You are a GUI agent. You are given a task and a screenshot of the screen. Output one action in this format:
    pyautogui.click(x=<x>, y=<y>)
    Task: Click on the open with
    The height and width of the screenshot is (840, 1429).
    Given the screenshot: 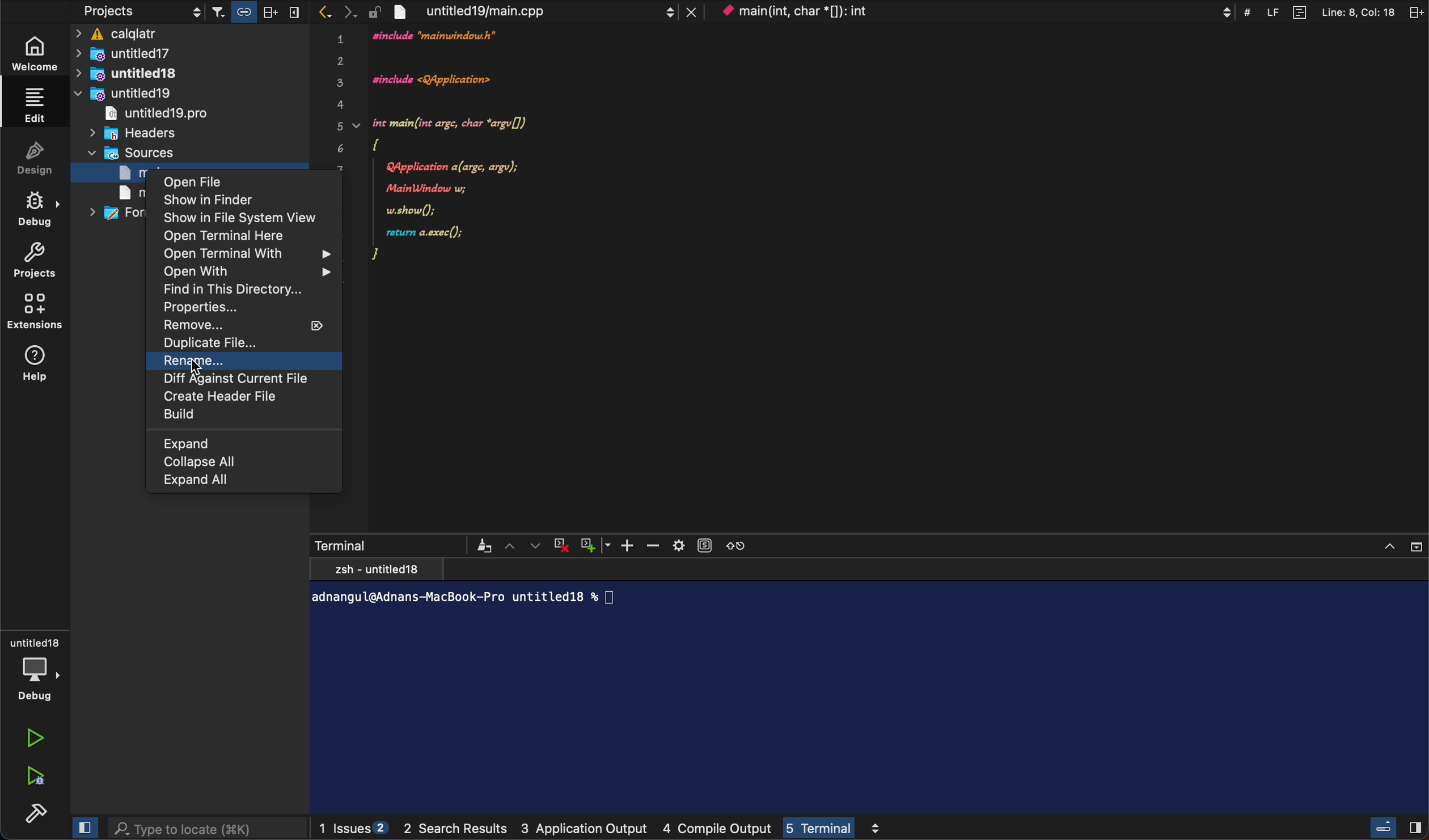 What is the action you would take?
    pyautogui.click(x=247, y=272)
    